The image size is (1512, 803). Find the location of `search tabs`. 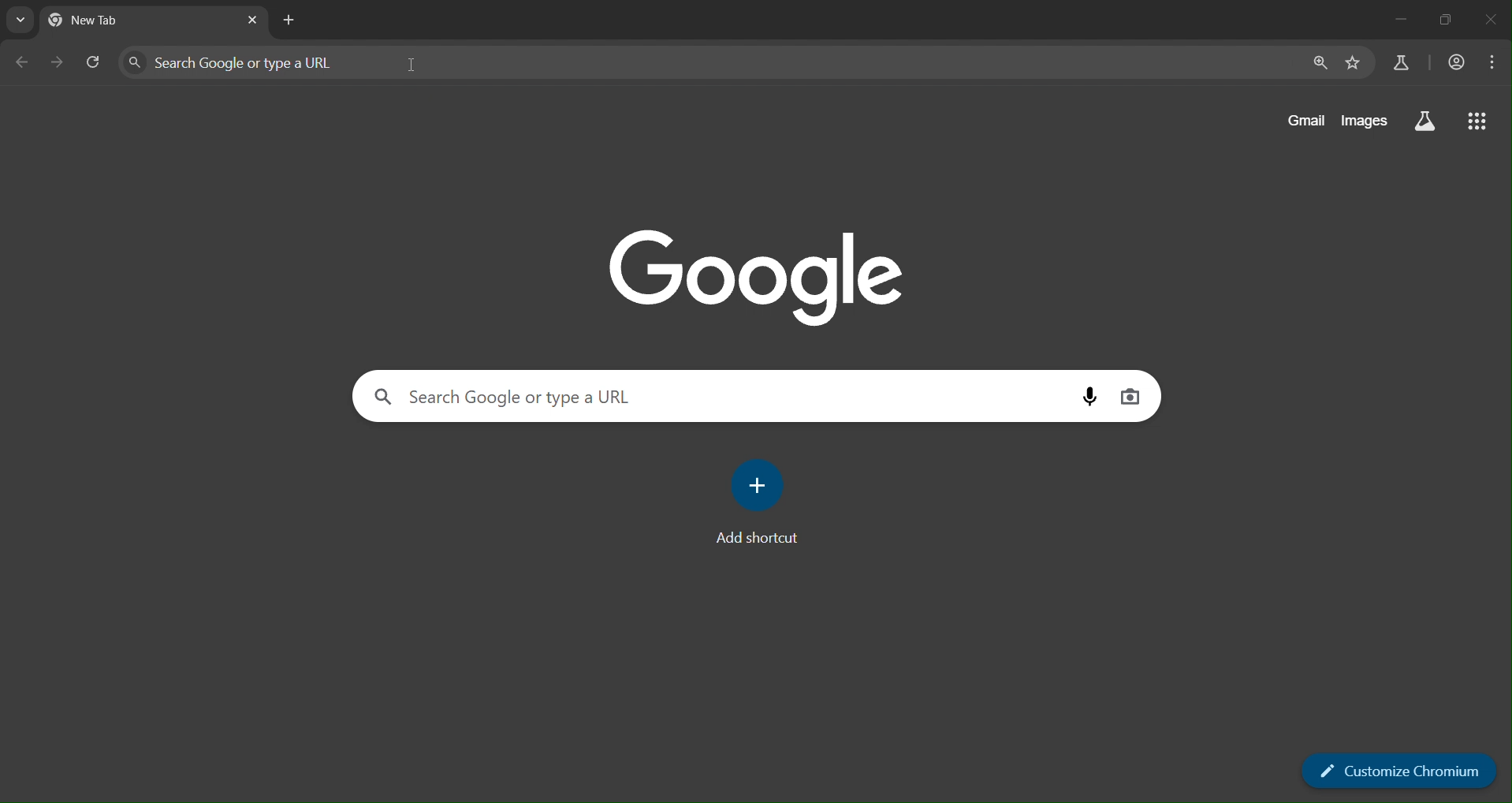

search tabs is located at coordinates (20, 21).